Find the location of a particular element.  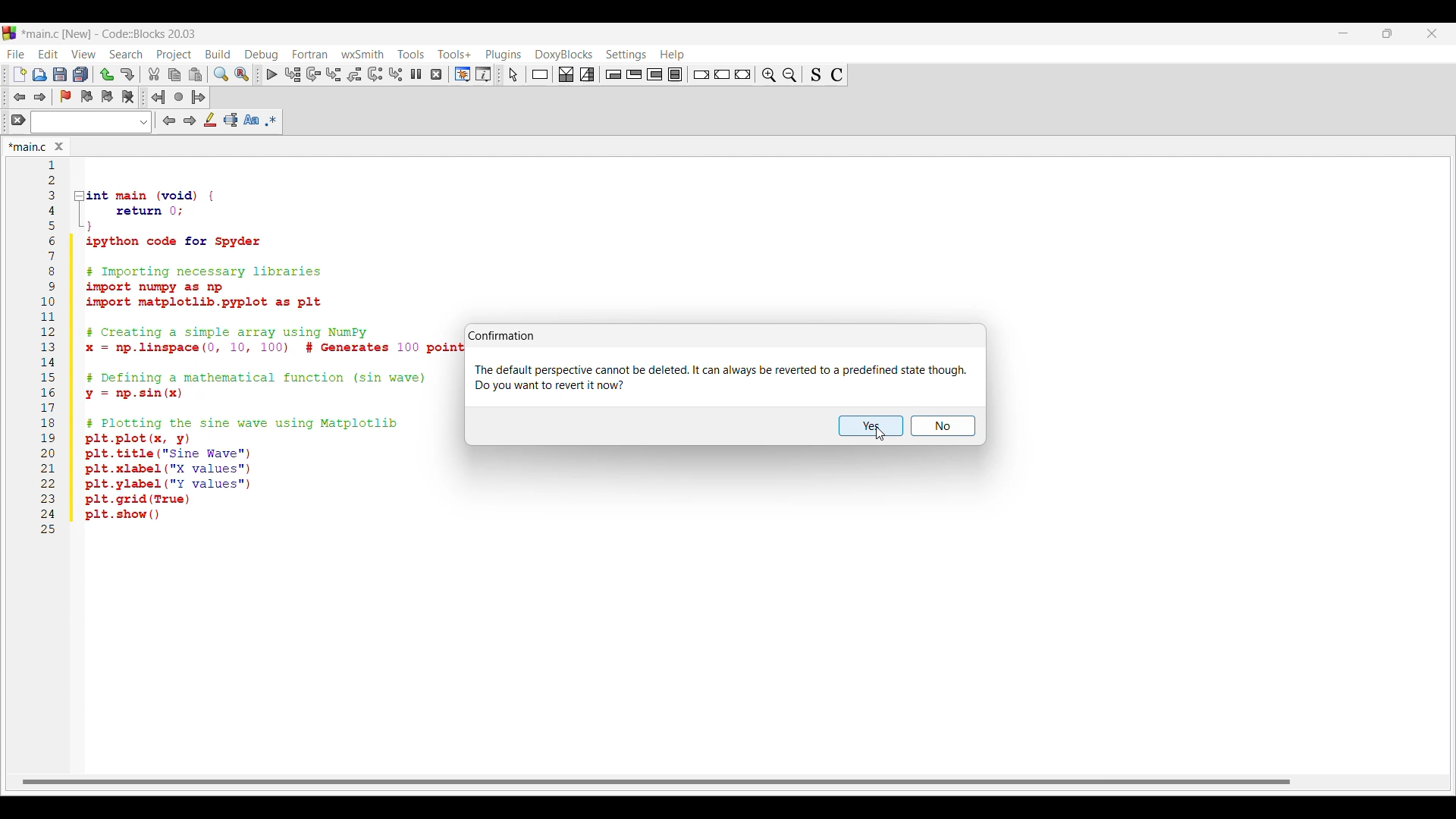

Debug/Continue is located at coordinates (272, 74).